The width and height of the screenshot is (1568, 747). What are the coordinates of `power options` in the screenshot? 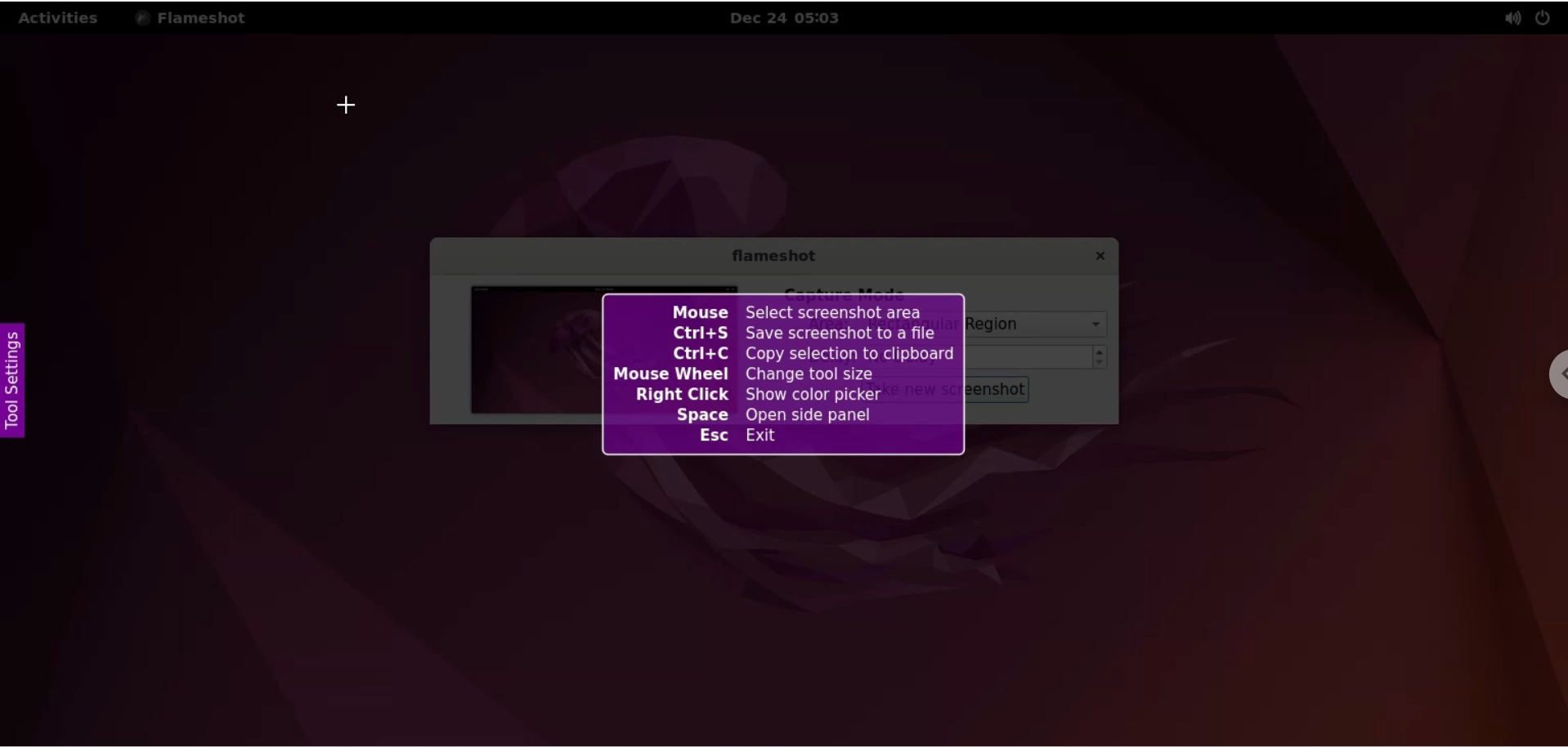 It's located at (1547, 16).